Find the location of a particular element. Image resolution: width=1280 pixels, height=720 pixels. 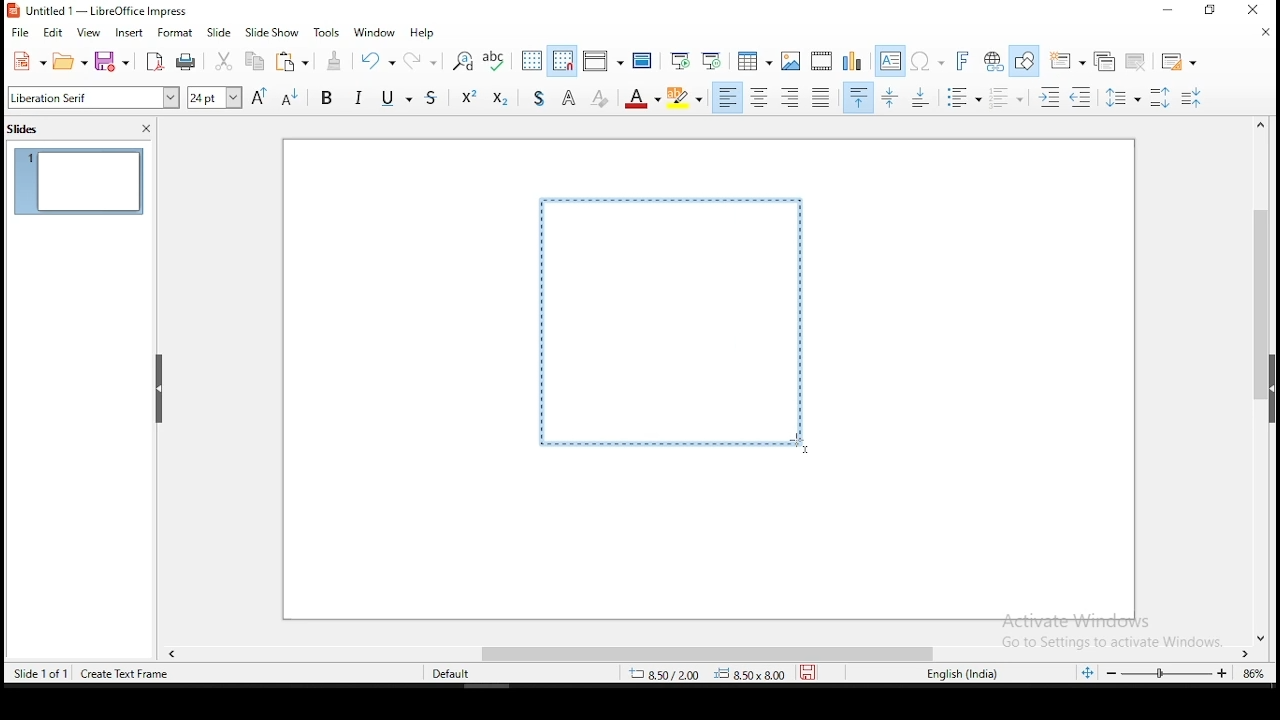

zoom level is located at coordinates (1252, 678).